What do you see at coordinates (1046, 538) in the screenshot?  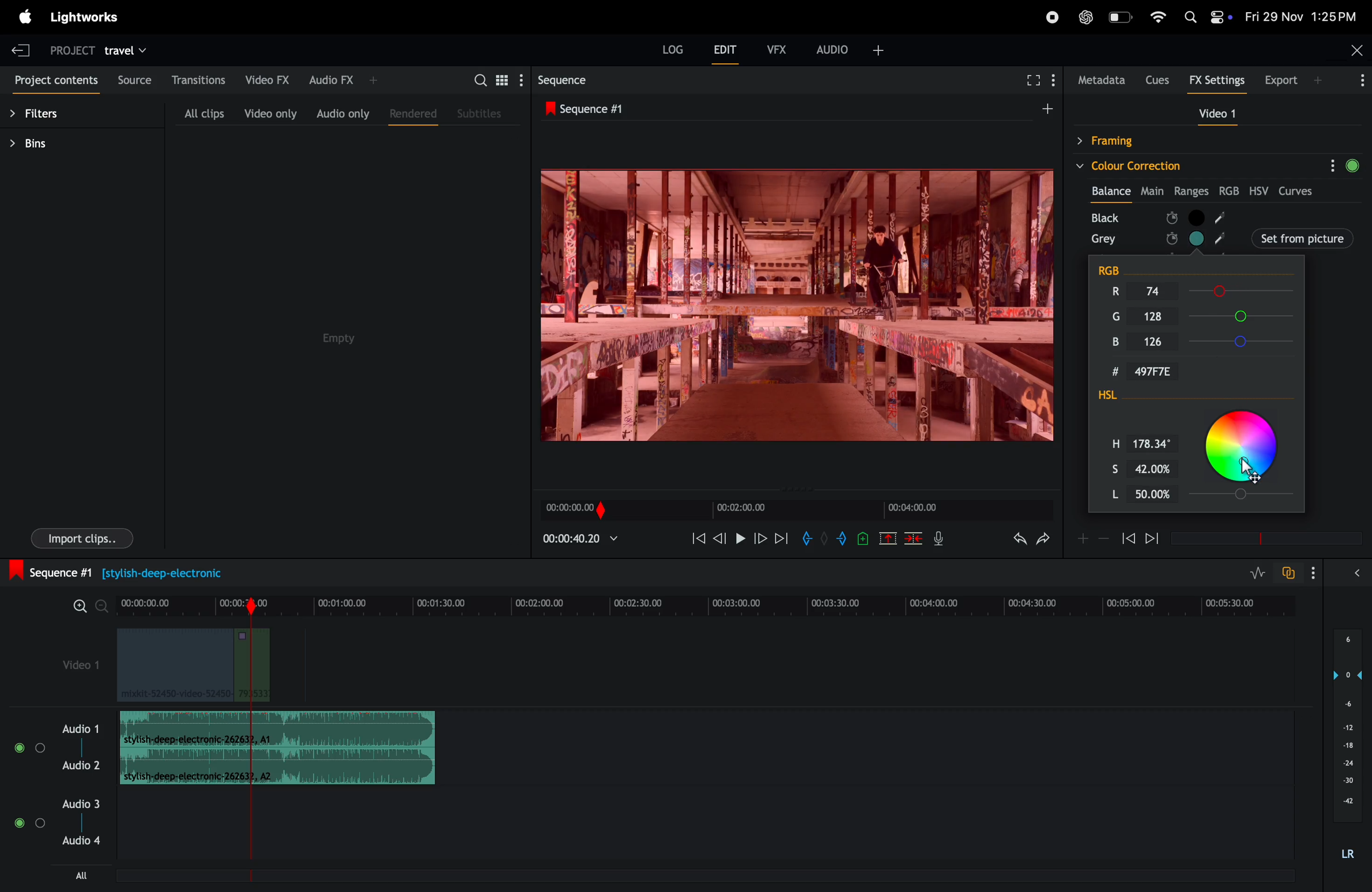 I see `redo` at bounding box center [1046, 538].